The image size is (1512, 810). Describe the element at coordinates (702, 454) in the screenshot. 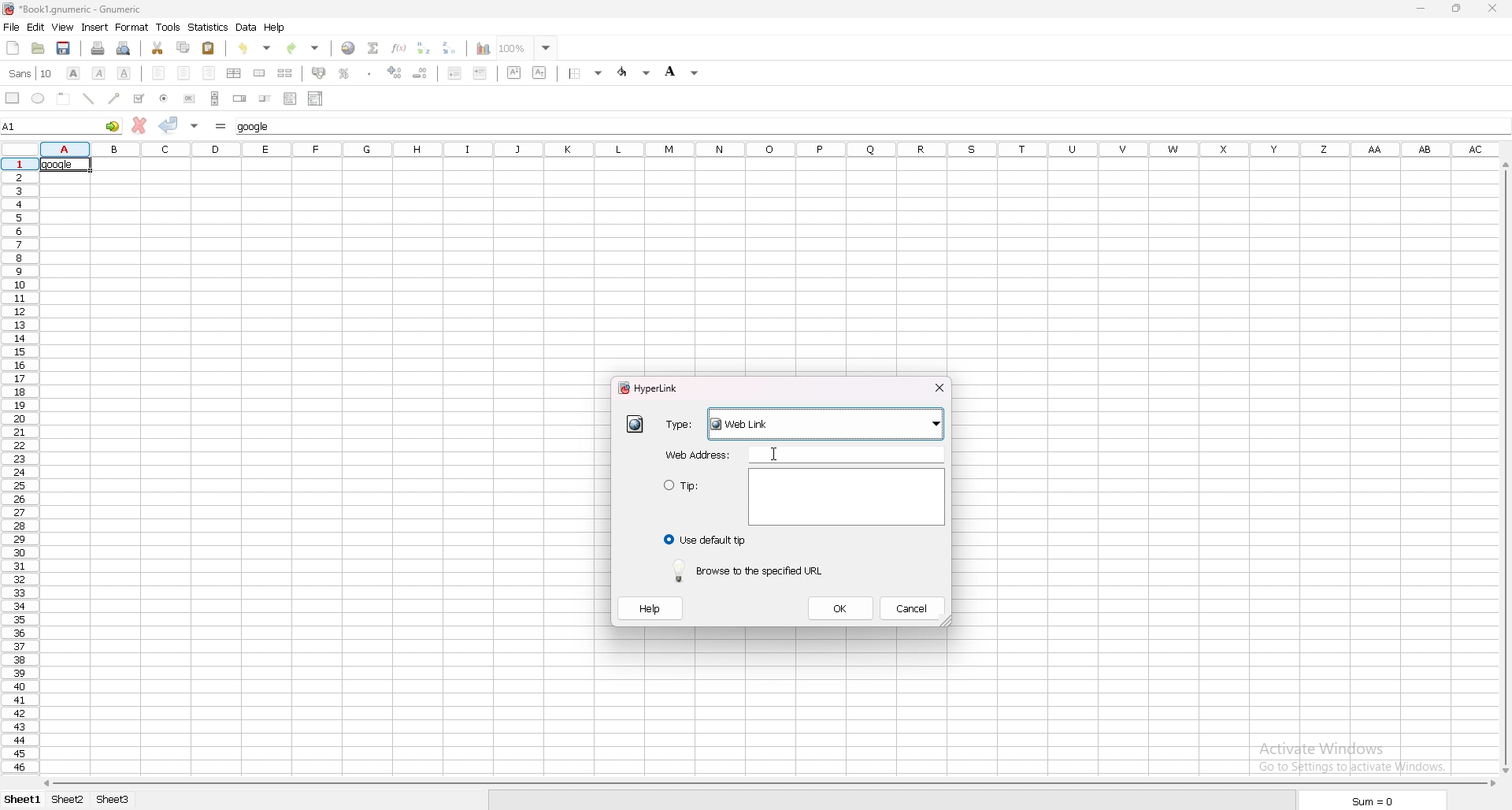

I see `web address` at that location.